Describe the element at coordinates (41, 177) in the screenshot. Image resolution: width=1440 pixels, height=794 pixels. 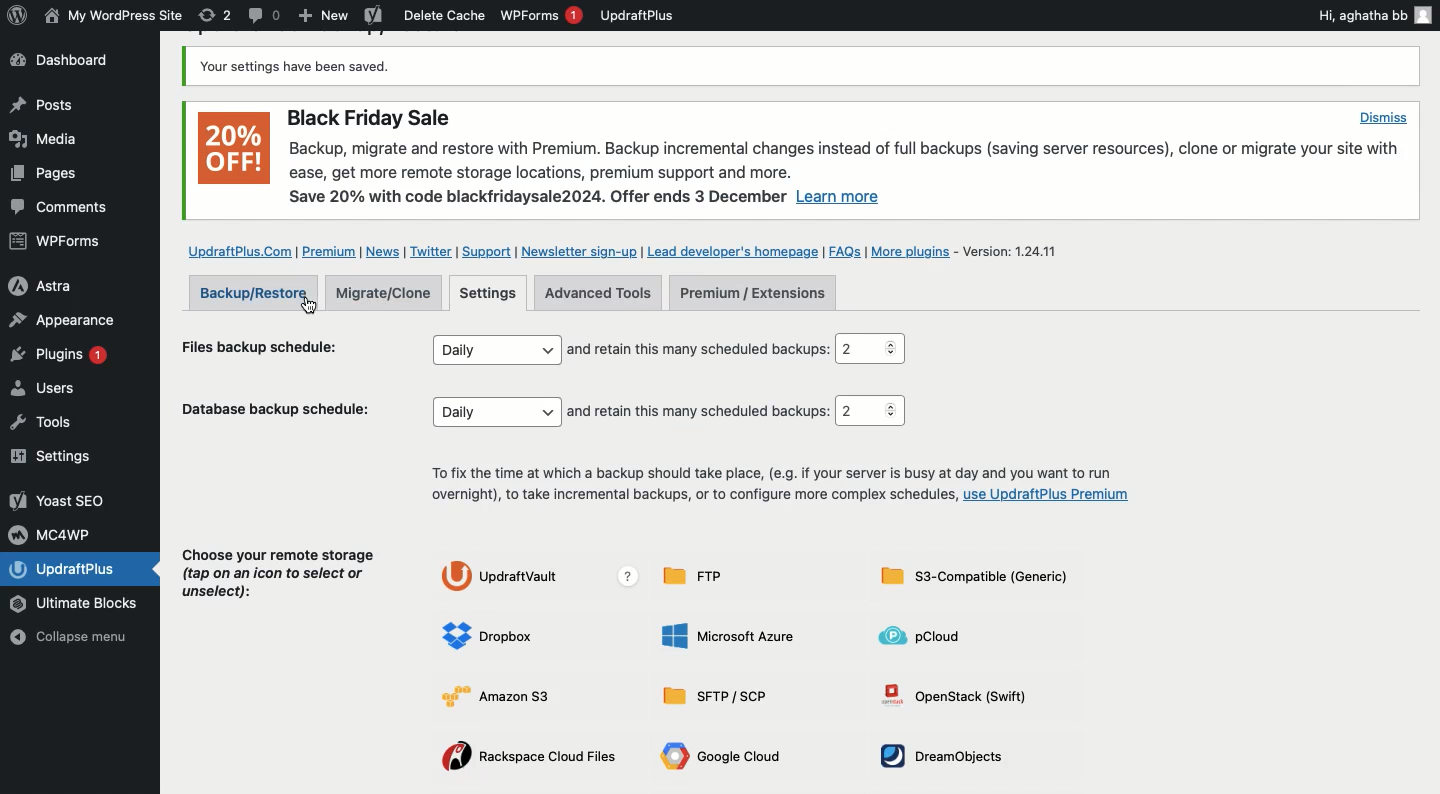
I see `Posts` at that location.